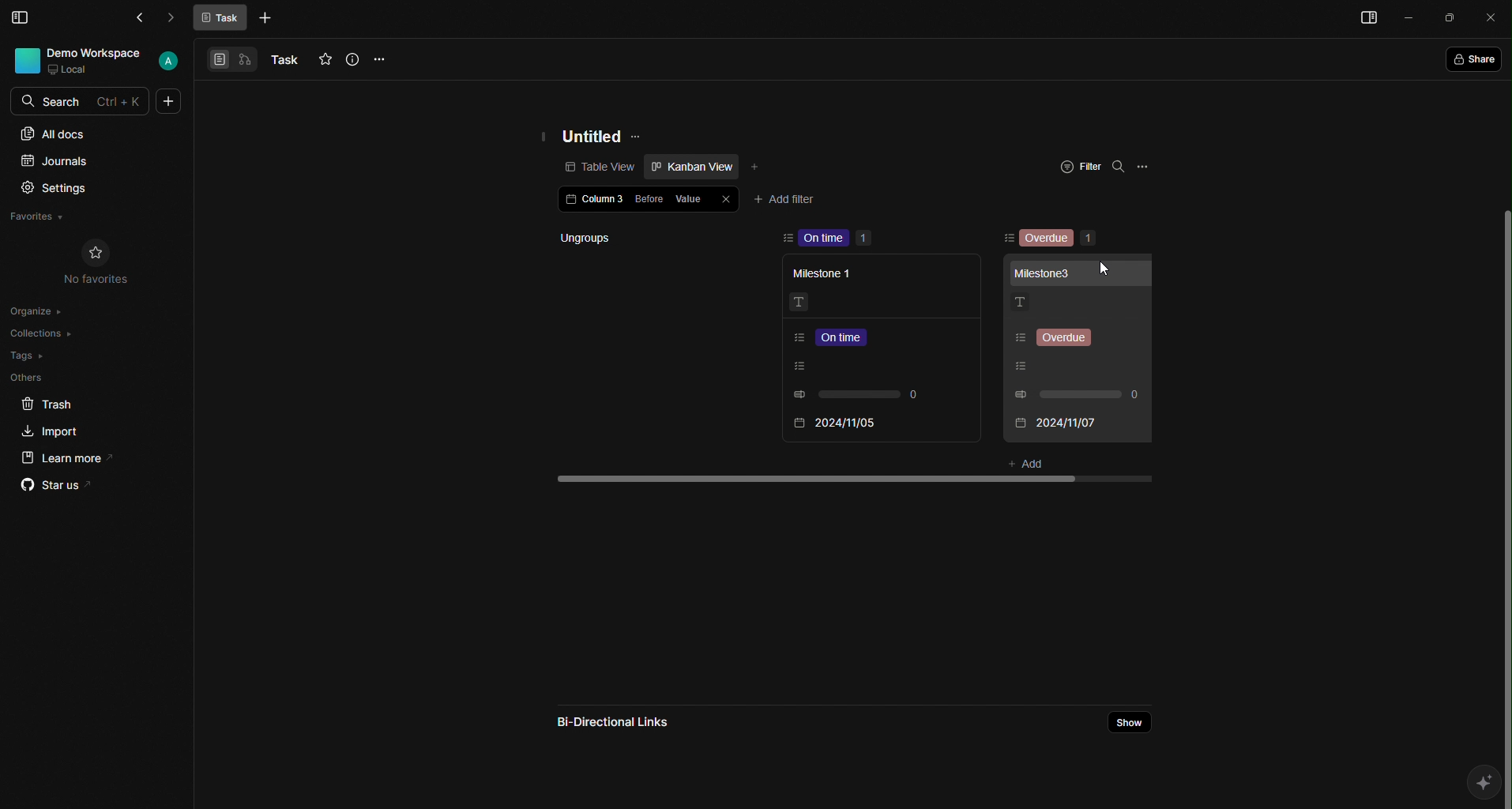  I want to click on 2024/11/05, so click(1049, 423).